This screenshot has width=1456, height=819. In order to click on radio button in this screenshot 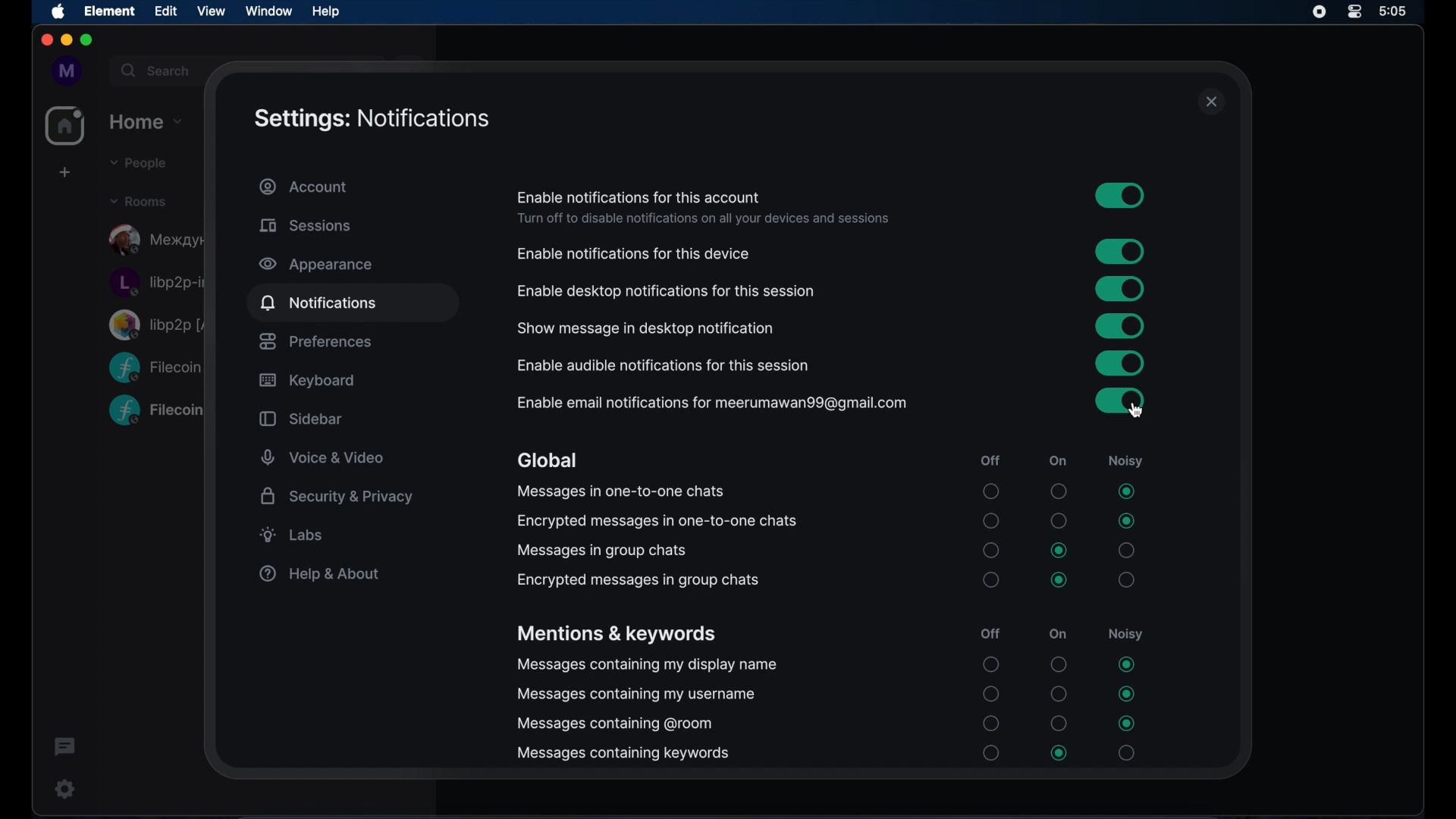, I will do `click(1126, 521)`.